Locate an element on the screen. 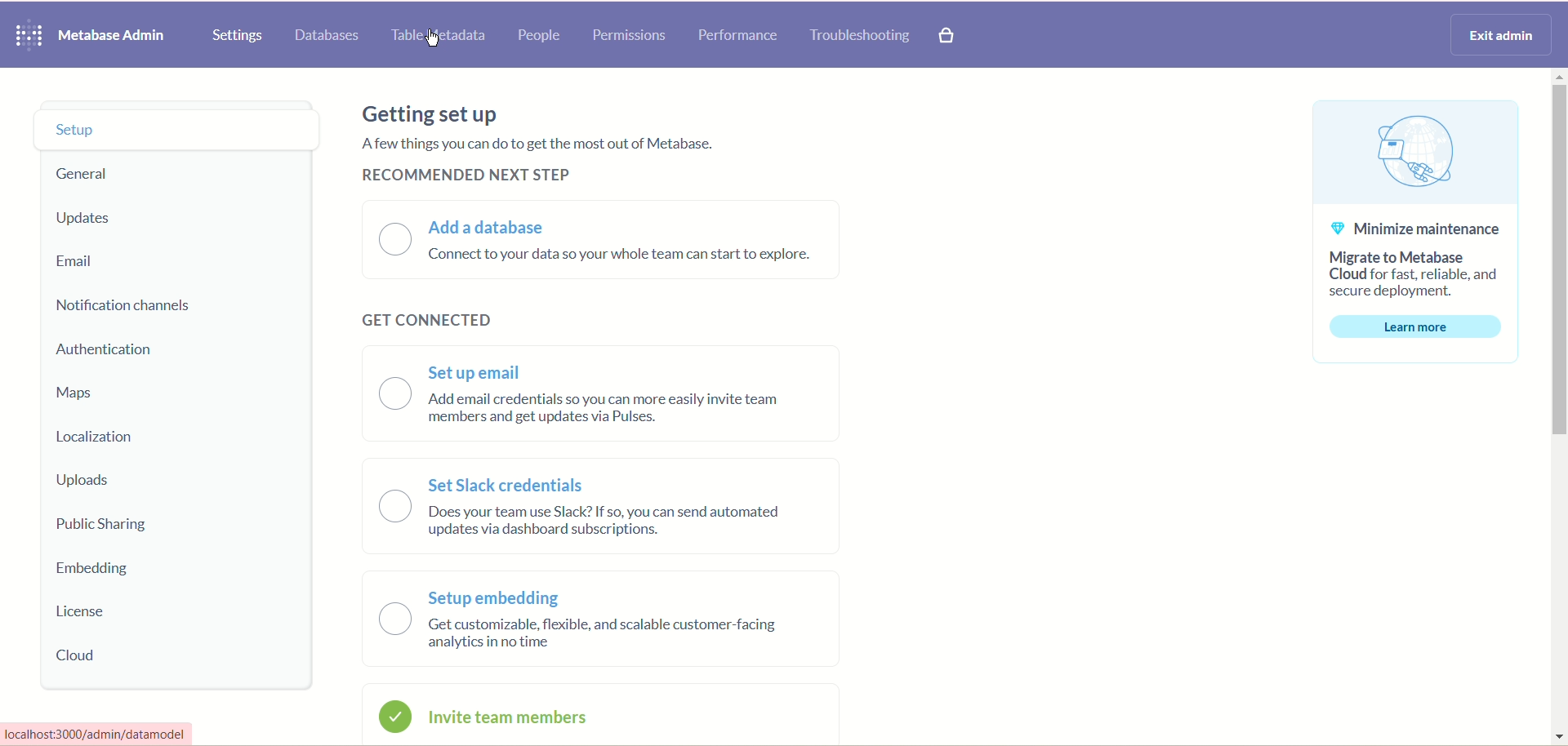 This screenshot has width=1568, height=746. updates is located at coordinates (91, 220).